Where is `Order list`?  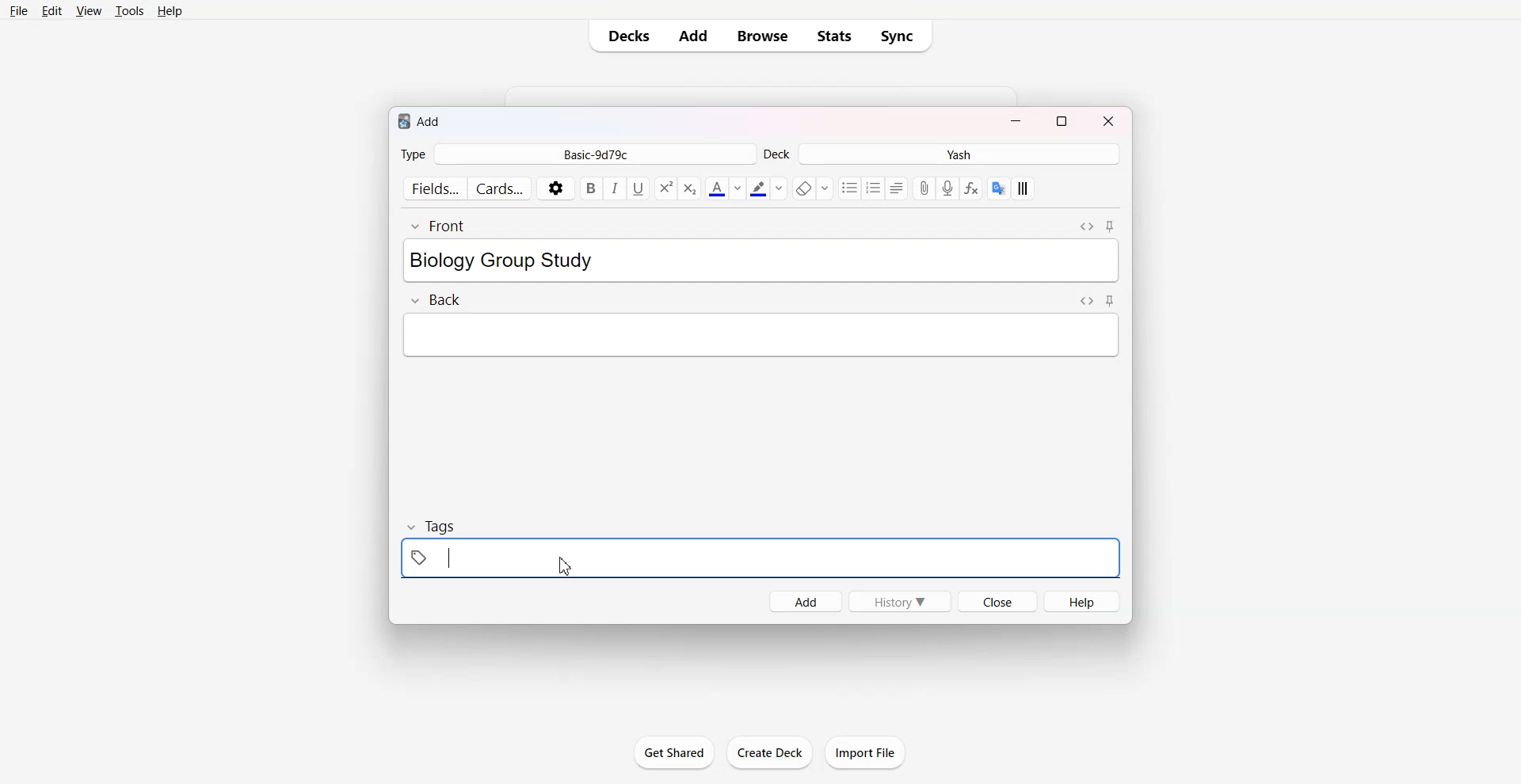
Order list is located at coordinates (875, 188).